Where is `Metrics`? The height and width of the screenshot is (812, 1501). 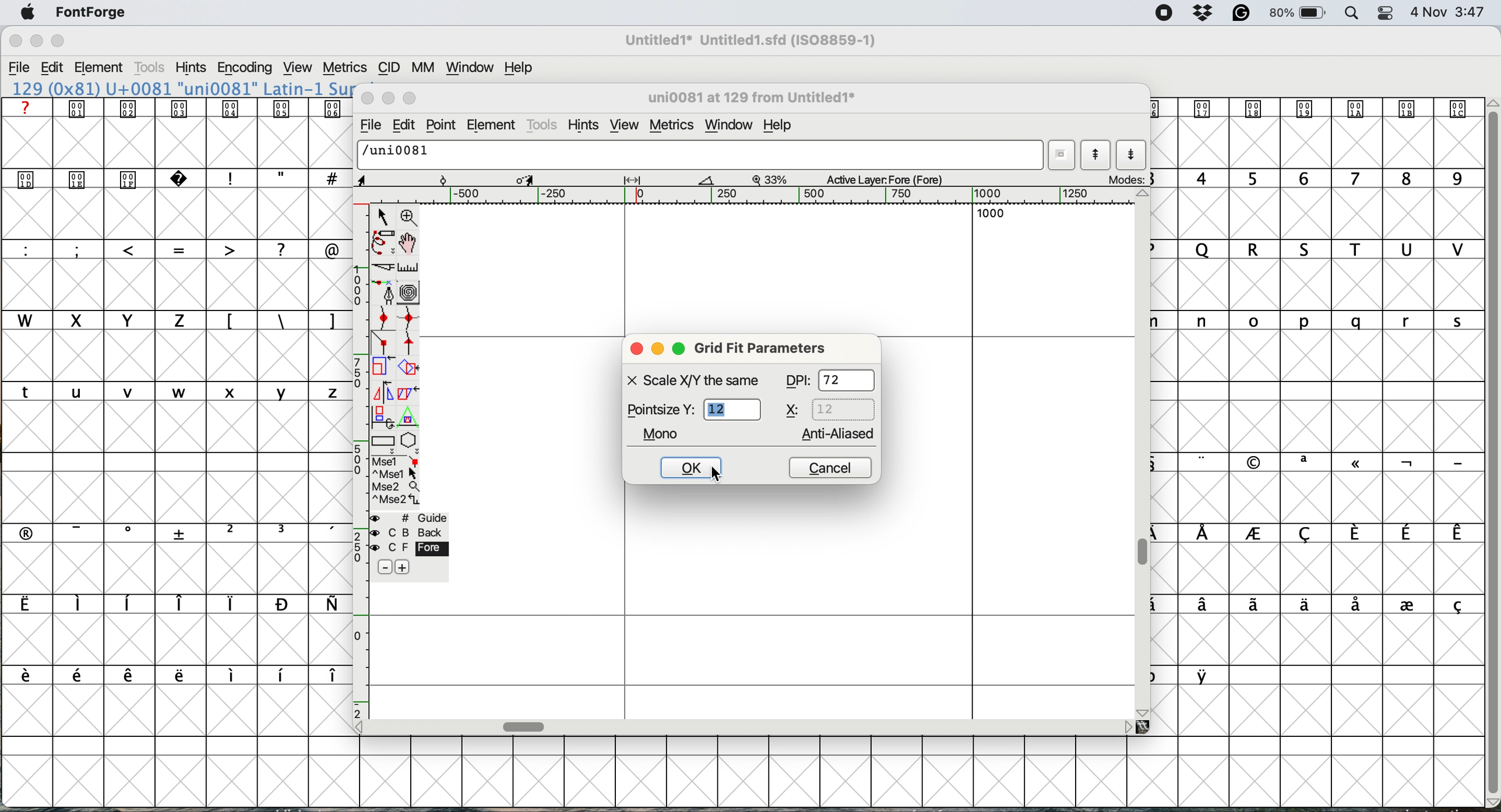
Metrics is located at coordinates (344, 69).